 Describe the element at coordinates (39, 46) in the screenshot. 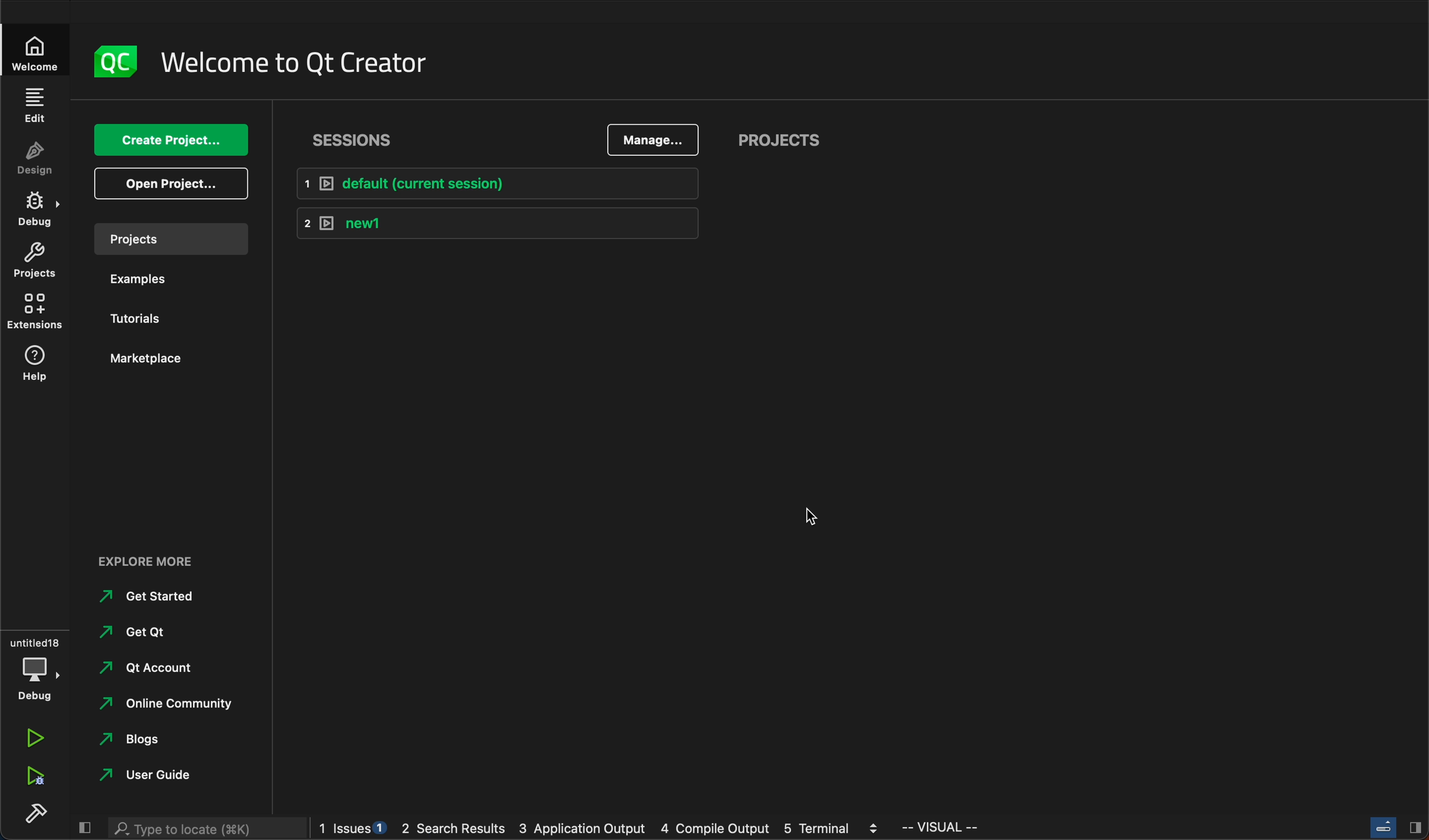

I see `welcomw` at that location.